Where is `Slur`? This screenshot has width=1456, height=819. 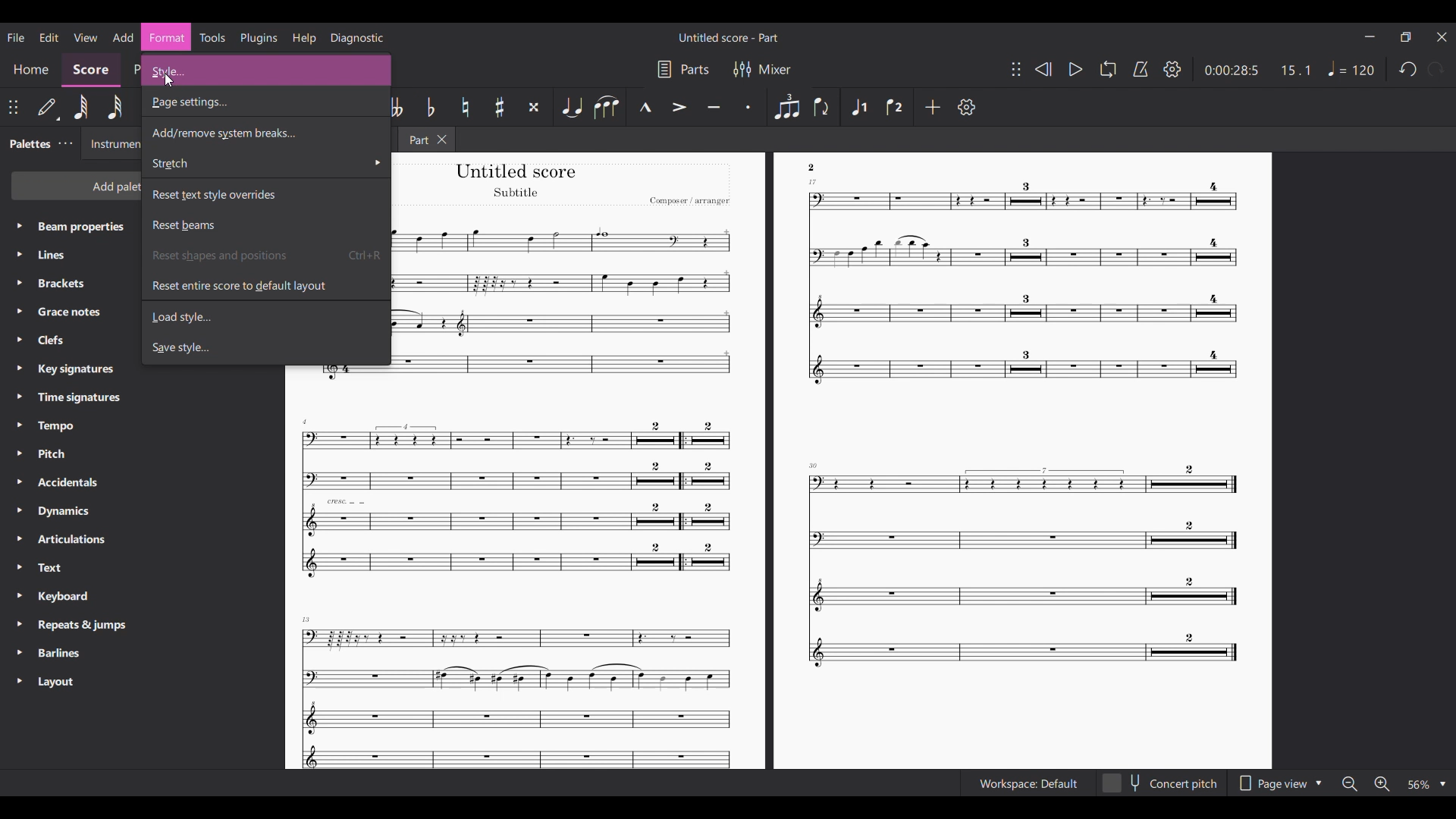 Slur is located at coordinates (607, 107).